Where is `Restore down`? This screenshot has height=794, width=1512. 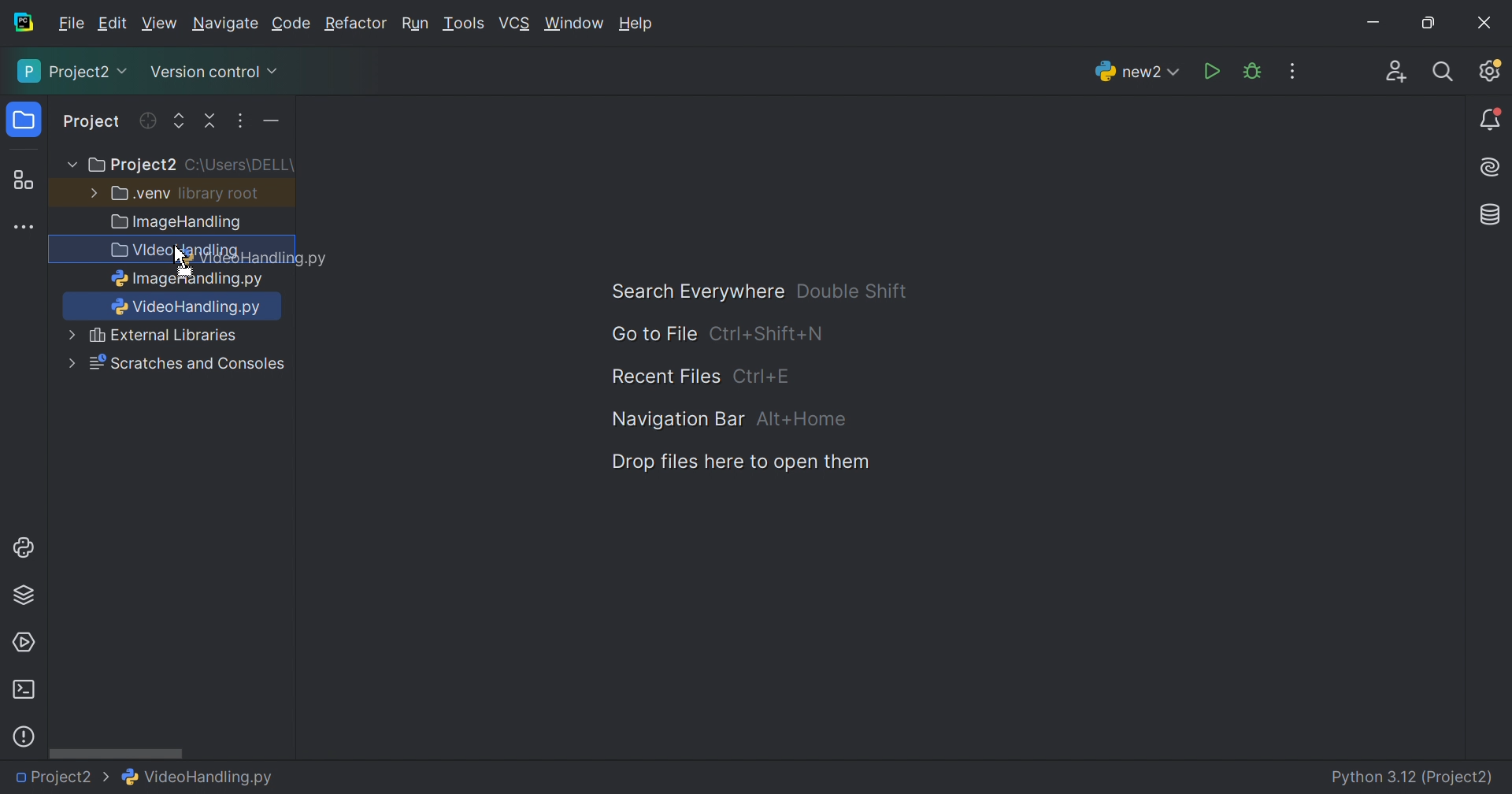
Restore down is located at coordinates (1427, 24).